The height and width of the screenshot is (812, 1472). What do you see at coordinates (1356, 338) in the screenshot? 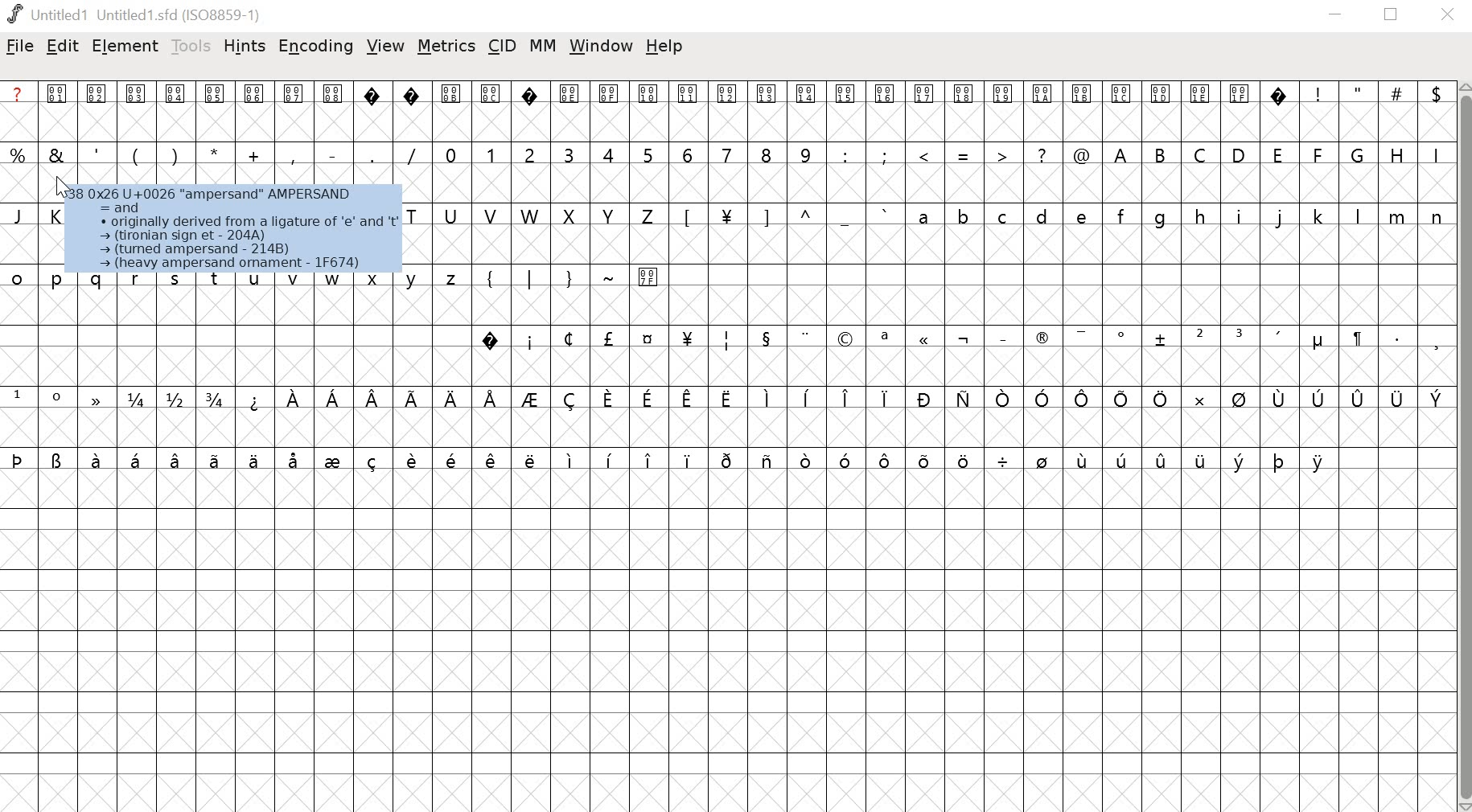
I see `symbol` at bounding box center [1356, 338].